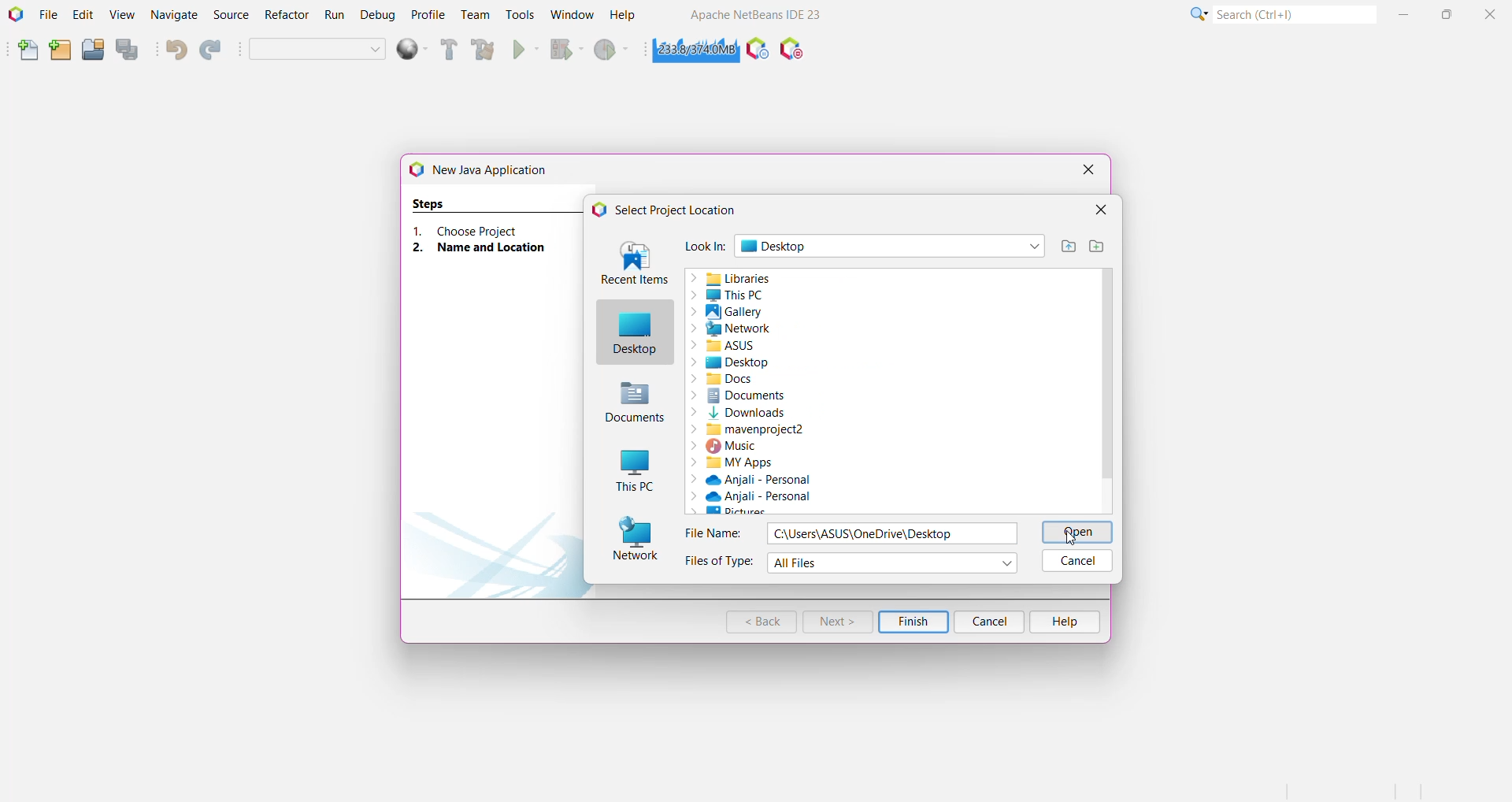 The image size is (1512, 802). What do you see at coordinates (836, 622) in the screenshot?
I see `Next` at bounding box center [836, 622].